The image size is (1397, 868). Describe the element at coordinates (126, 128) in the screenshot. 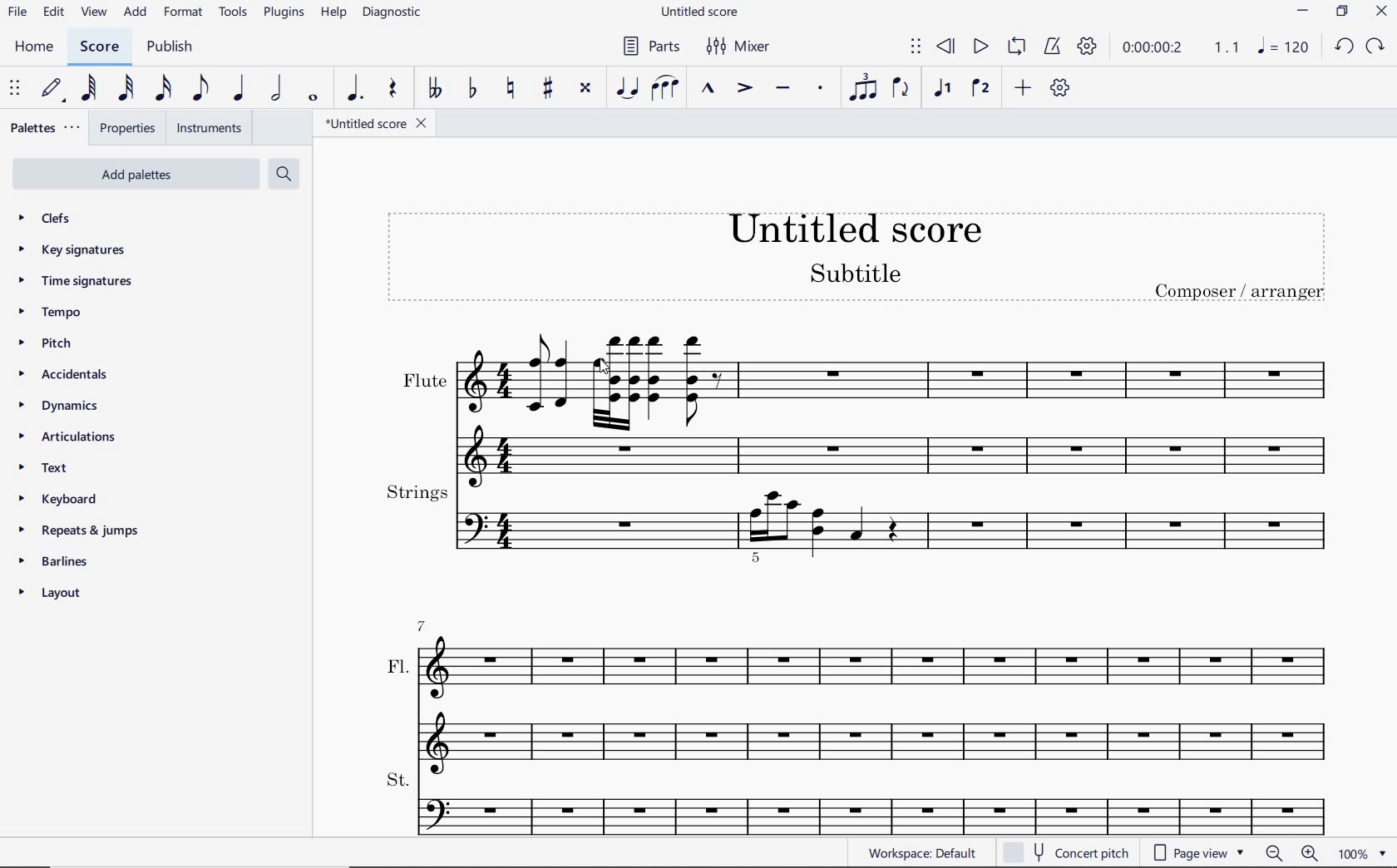

I see `properties` at that location.